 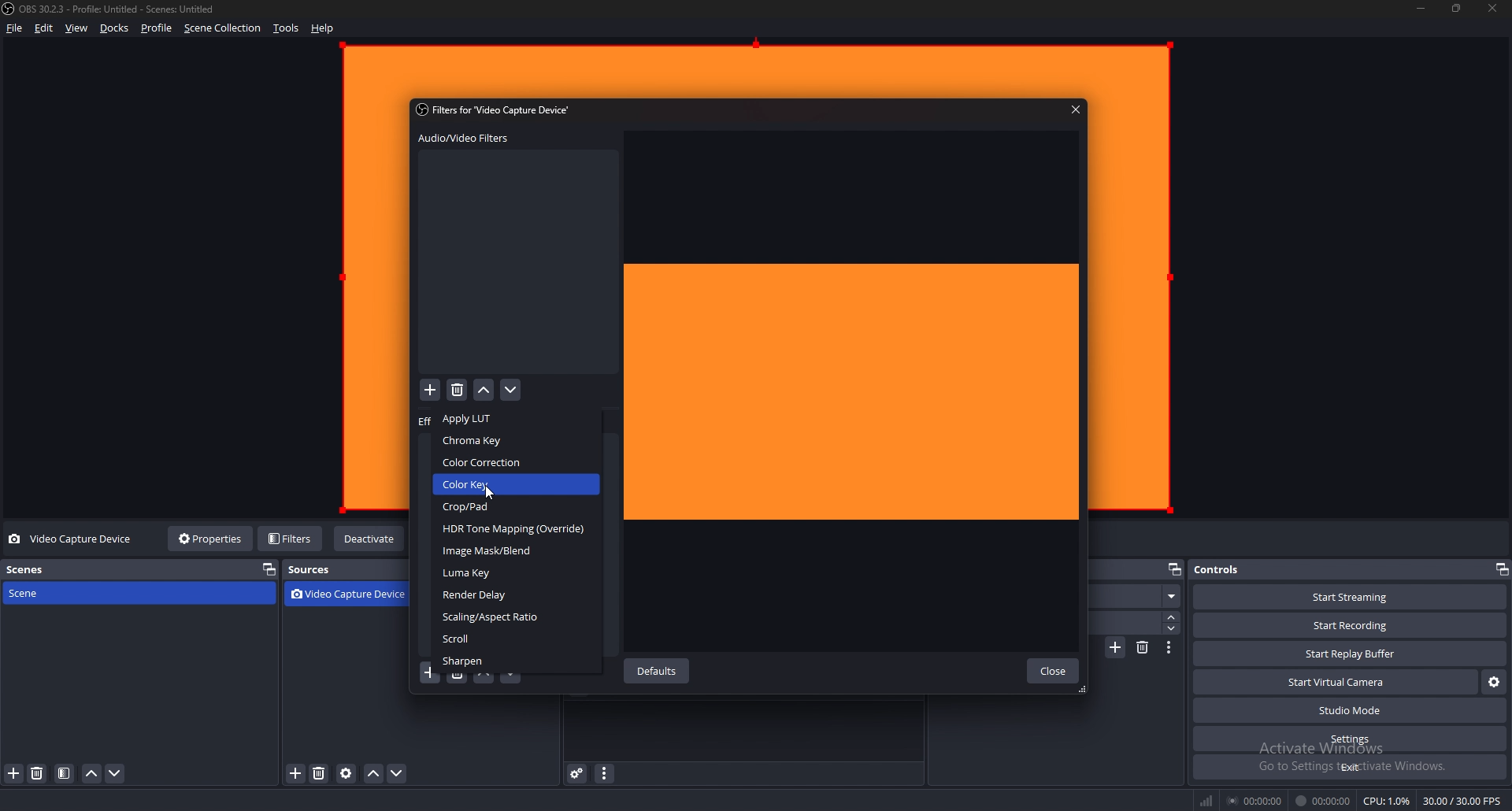 I want to click on studio mode, so click(x=1348, y=711).